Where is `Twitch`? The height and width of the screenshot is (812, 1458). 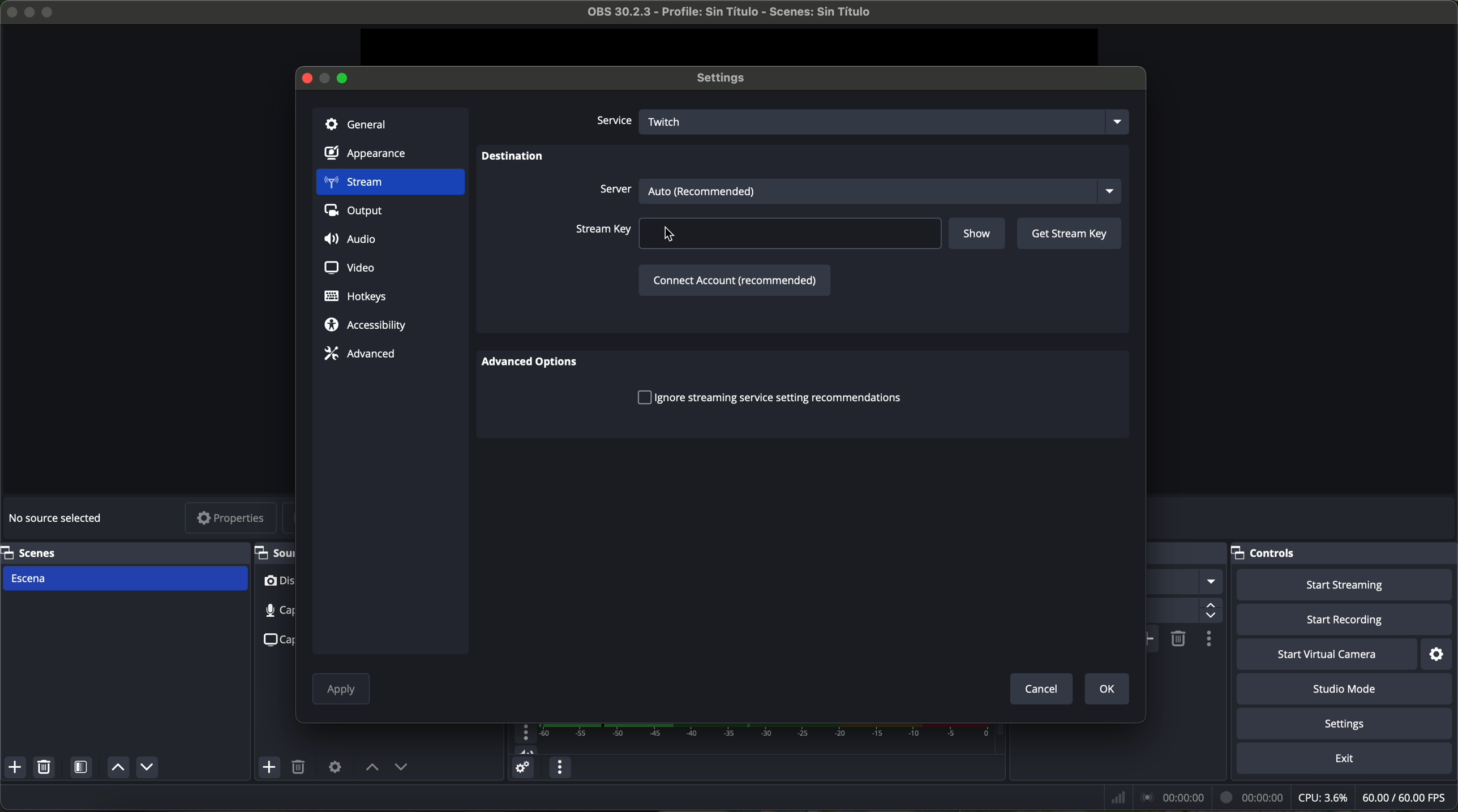 Twitch is located at coordinates (887, 121).